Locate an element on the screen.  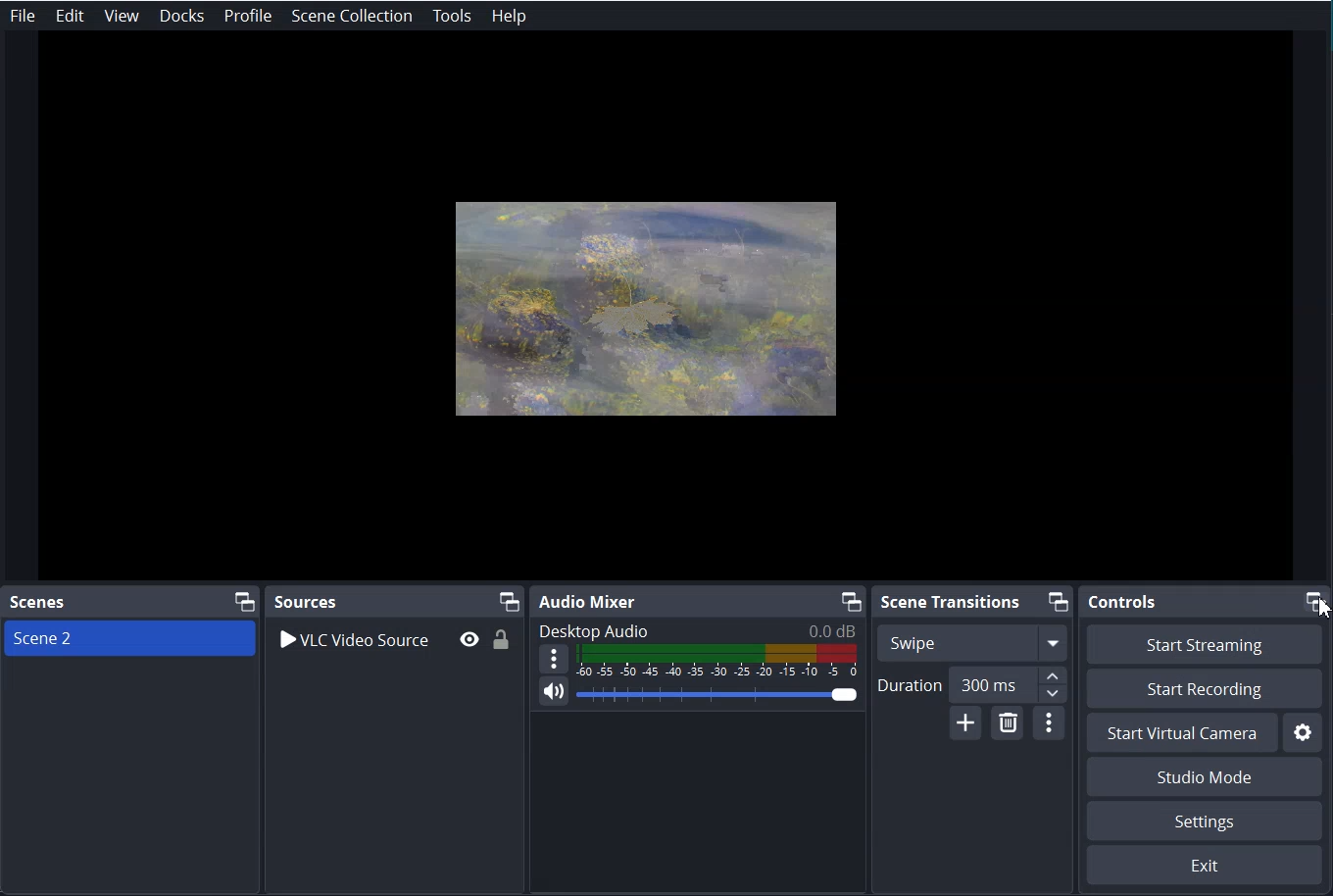
Duration is located at coordinates (970, 684).